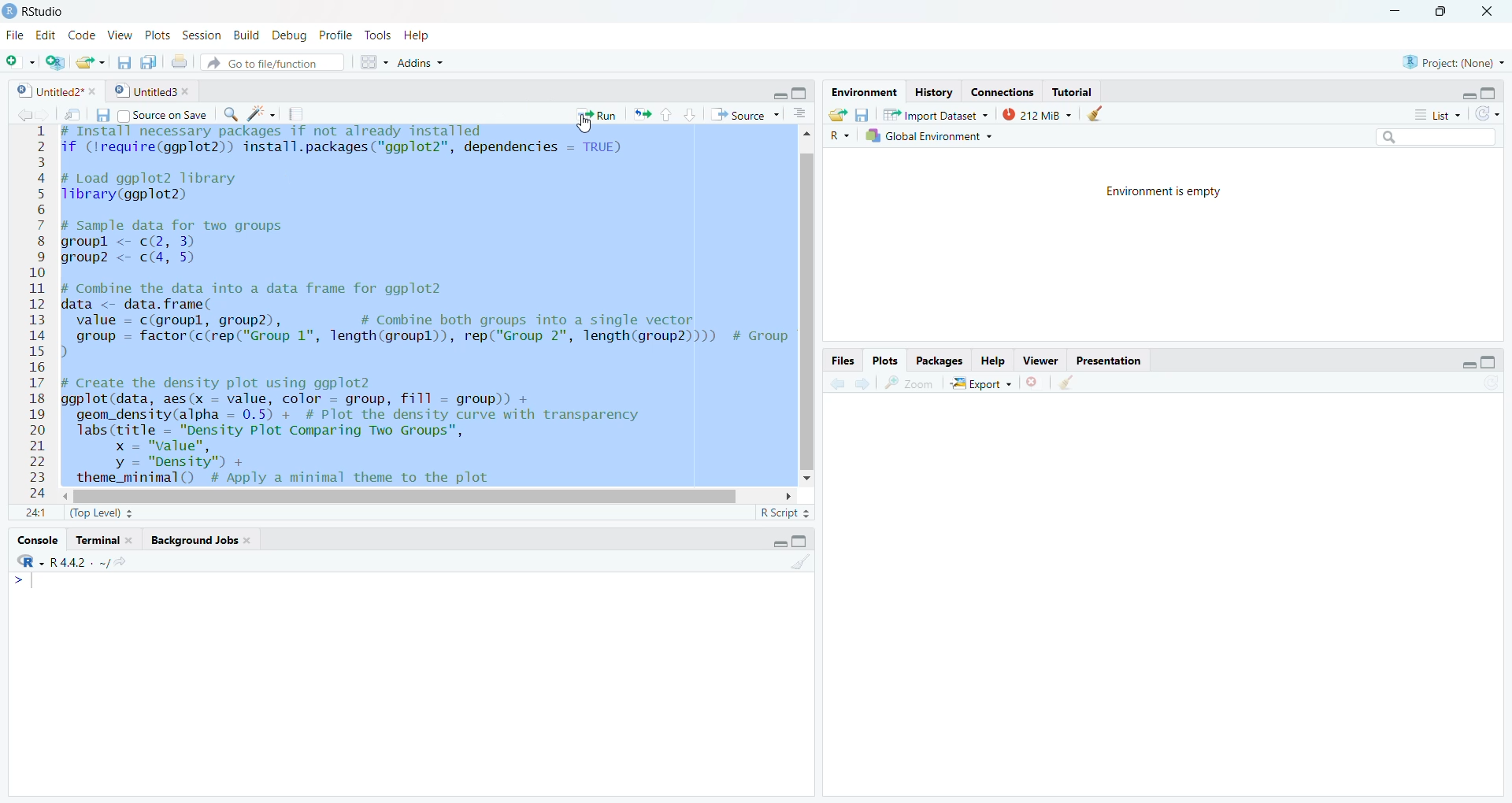  What do you see at coordinates (104, 541) in the screenshot?
I see `terminal` at bounding box center [104, 541].